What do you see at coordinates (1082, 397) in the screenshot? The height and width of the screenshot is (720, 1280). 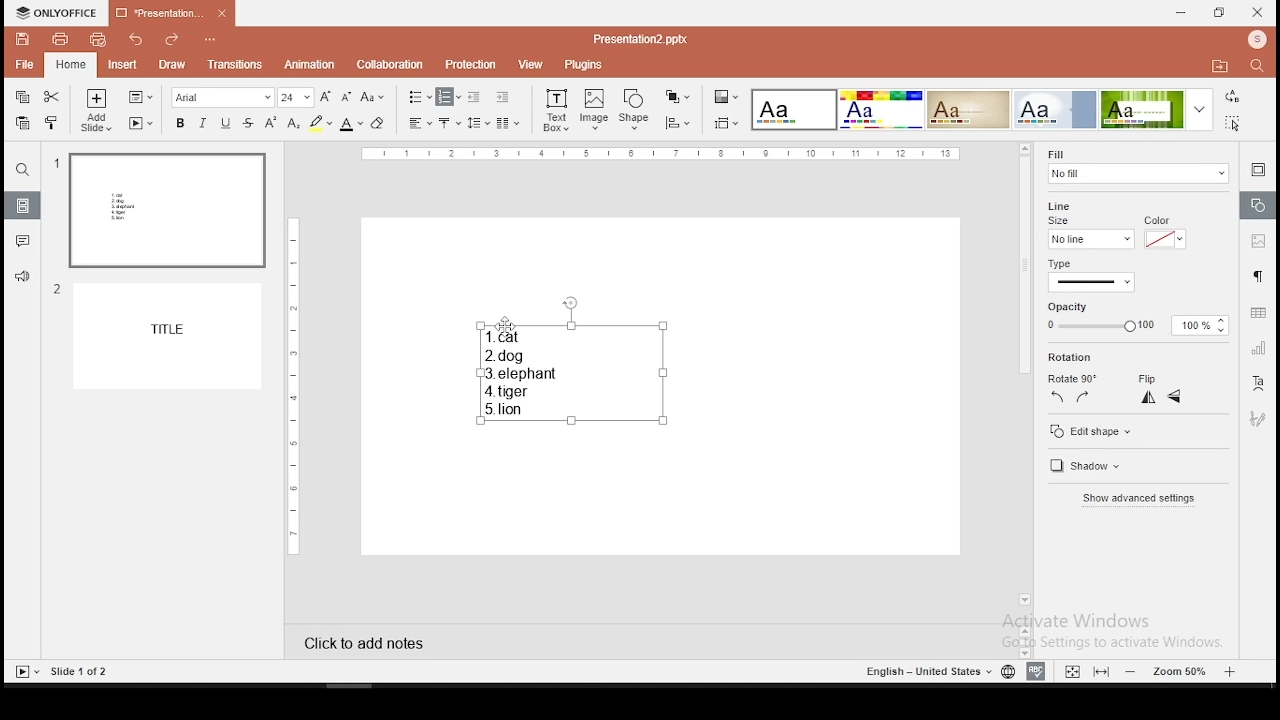 I see `rotate 90 clockwise` at bounding box center [1082, 397].